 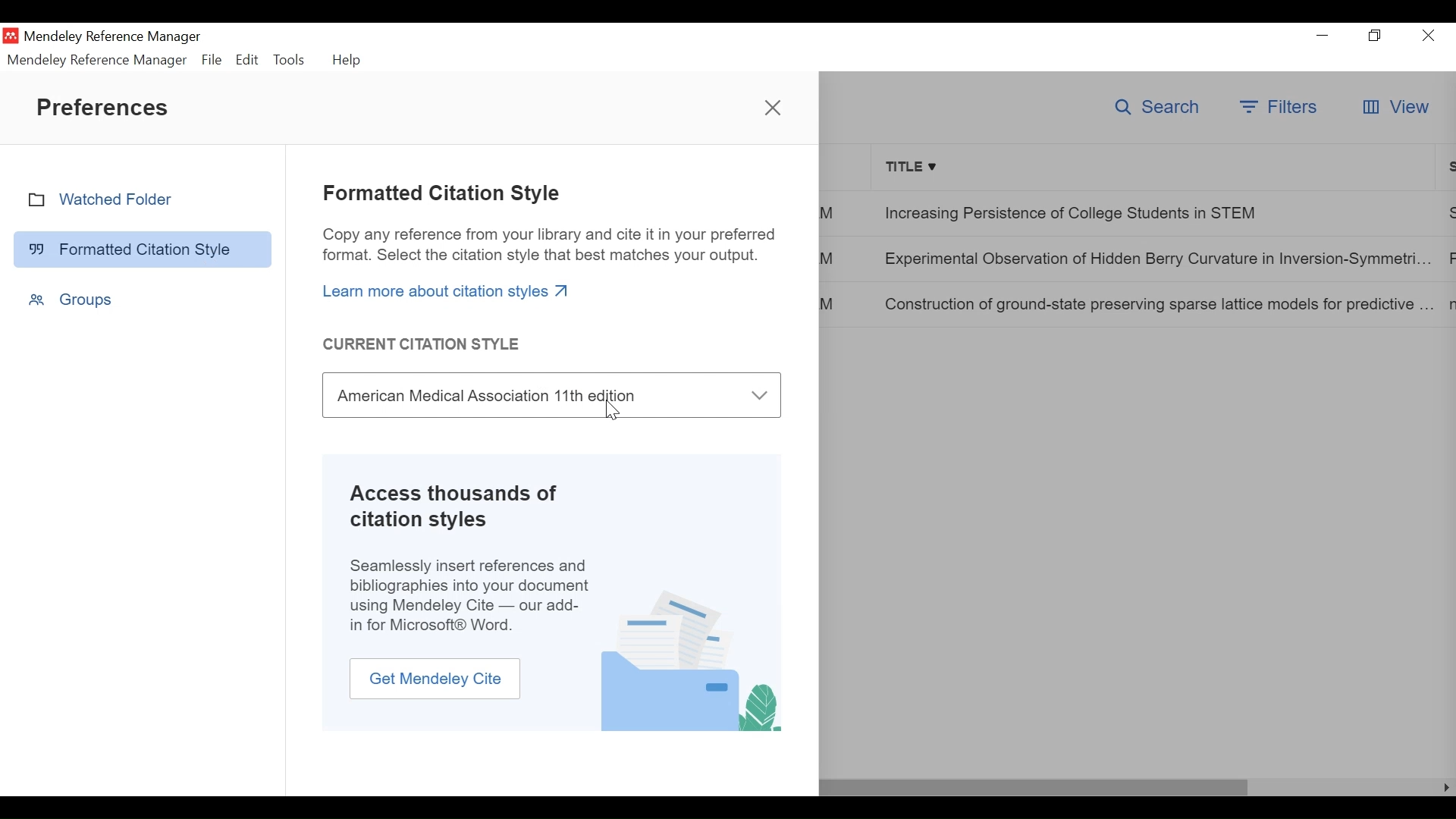 What do you see at coordinates (211, 60) in the screenshot?
I see `File` at bounding box center [211, 60].